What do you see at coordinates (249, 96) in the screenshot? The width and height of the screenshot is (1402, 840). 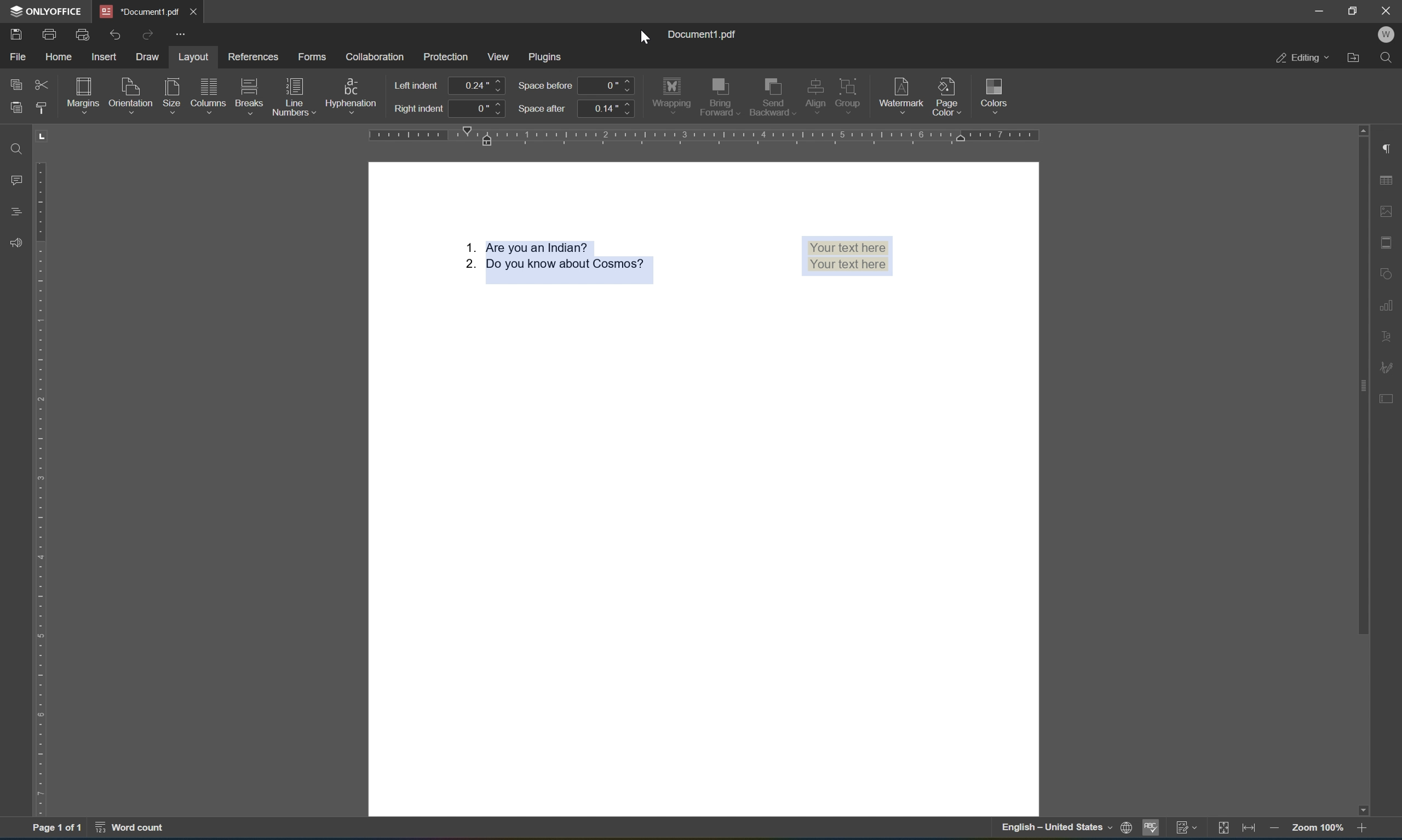 I see `breaks` at bounding box center [249, 96].